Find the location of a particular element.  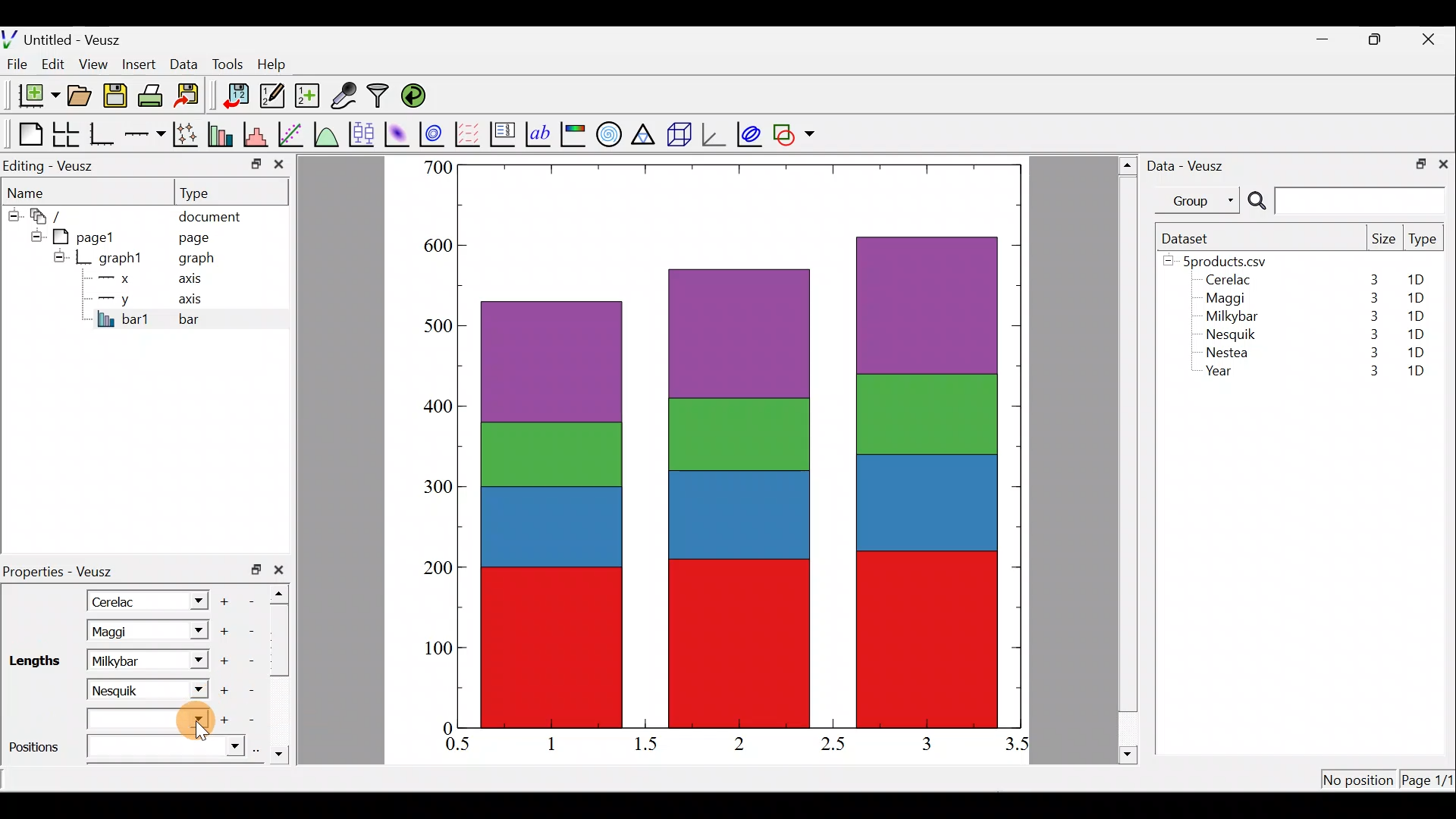

Plot points with lines and error bars is located at coordinates (188, 135).